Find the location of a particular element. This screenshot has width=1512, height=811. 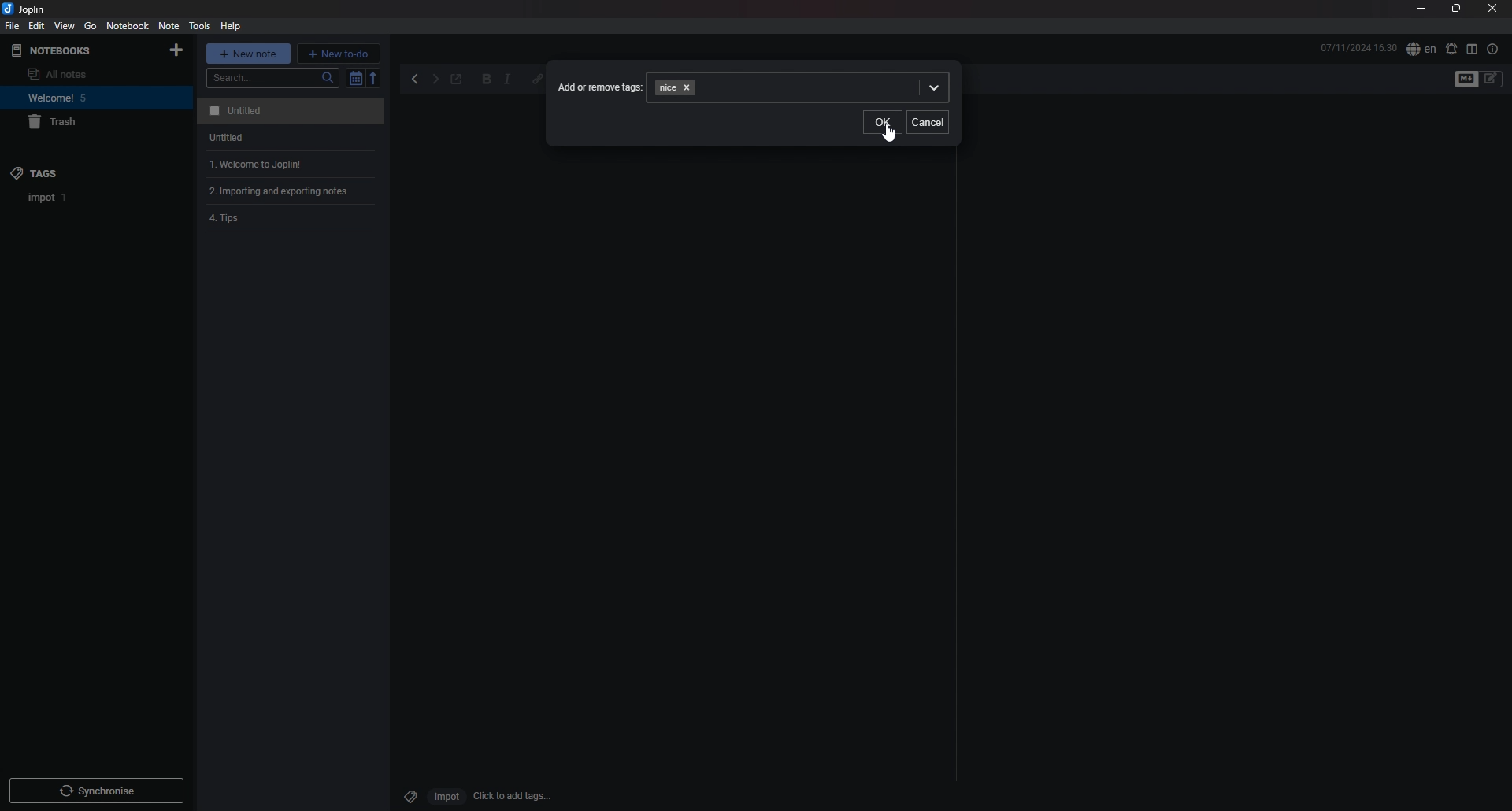

hyperlink is located at coordinates (537, 78).